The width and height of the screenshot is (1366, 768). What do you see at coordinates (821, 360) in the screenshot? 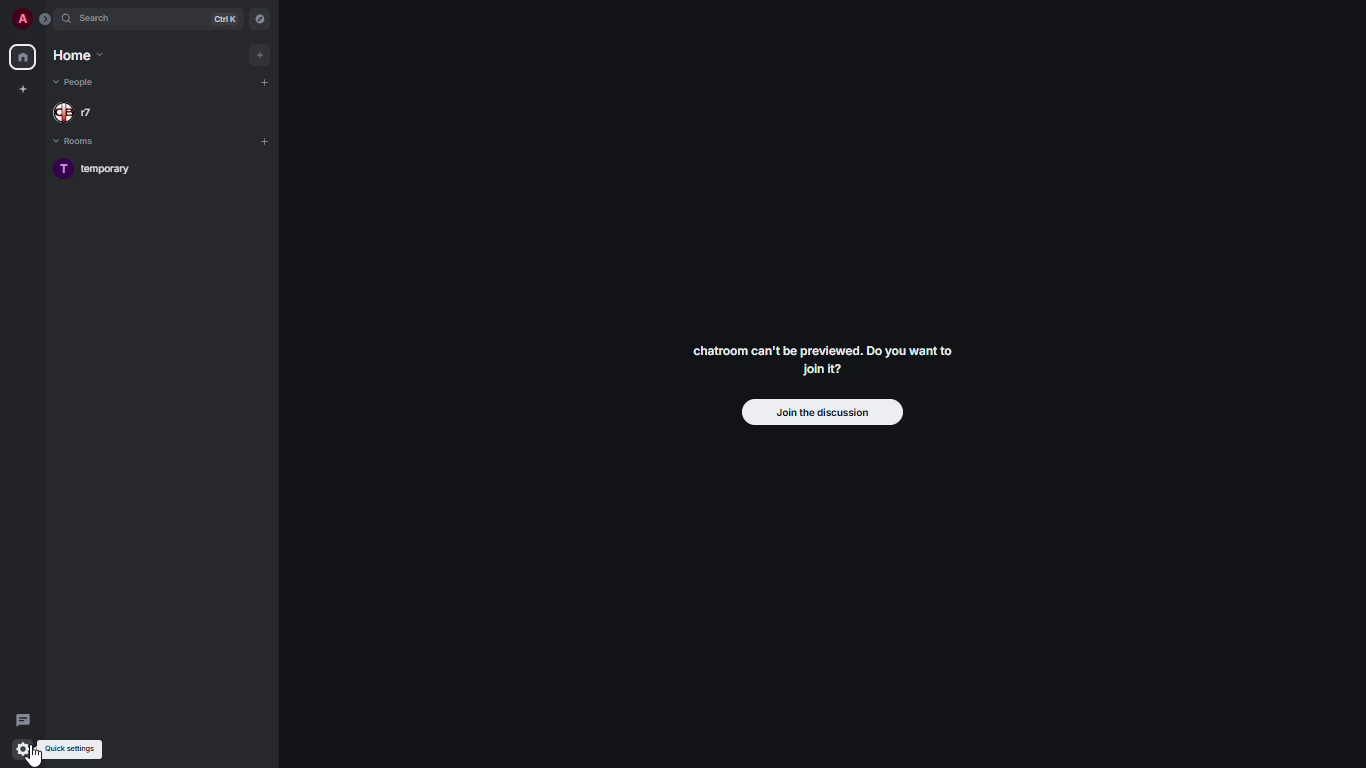
I see `chatroom can't be previewed` at bounding box center [821, 360].